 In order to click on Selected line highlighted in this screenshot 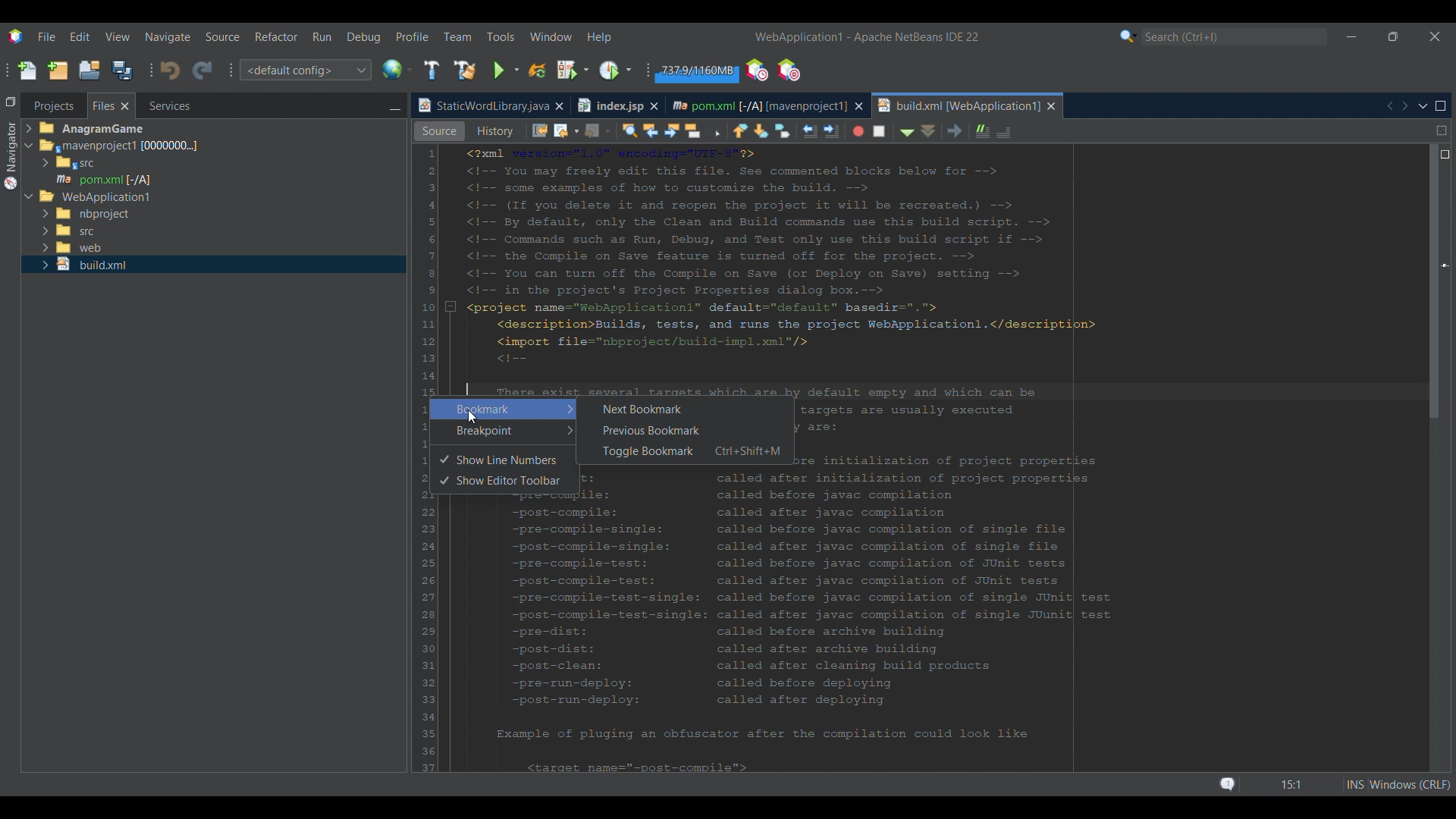, I will do `click(1111, 391)`.